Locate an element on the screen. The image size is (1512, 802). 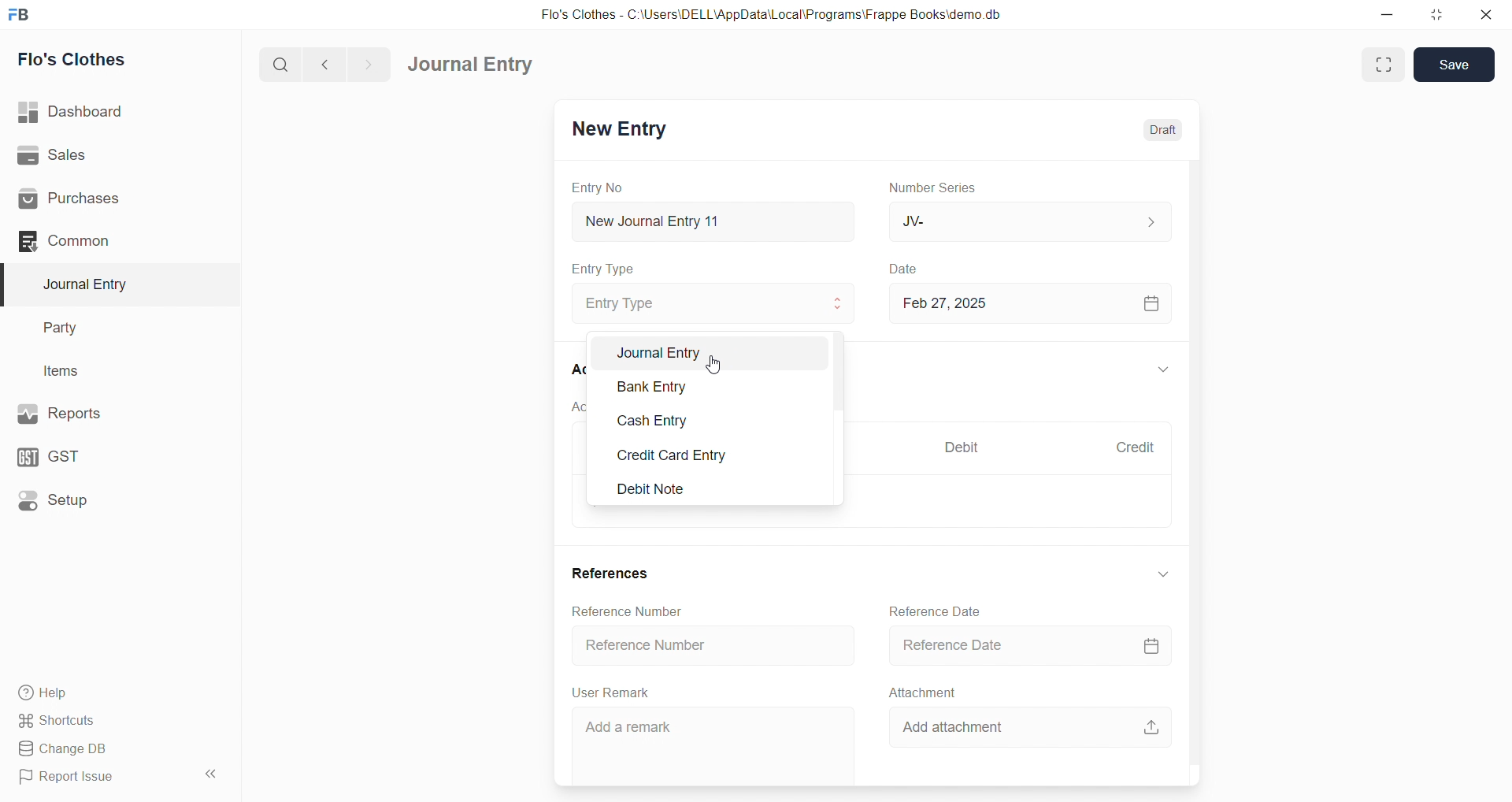
Draft is located at coordinates (1164, 129).